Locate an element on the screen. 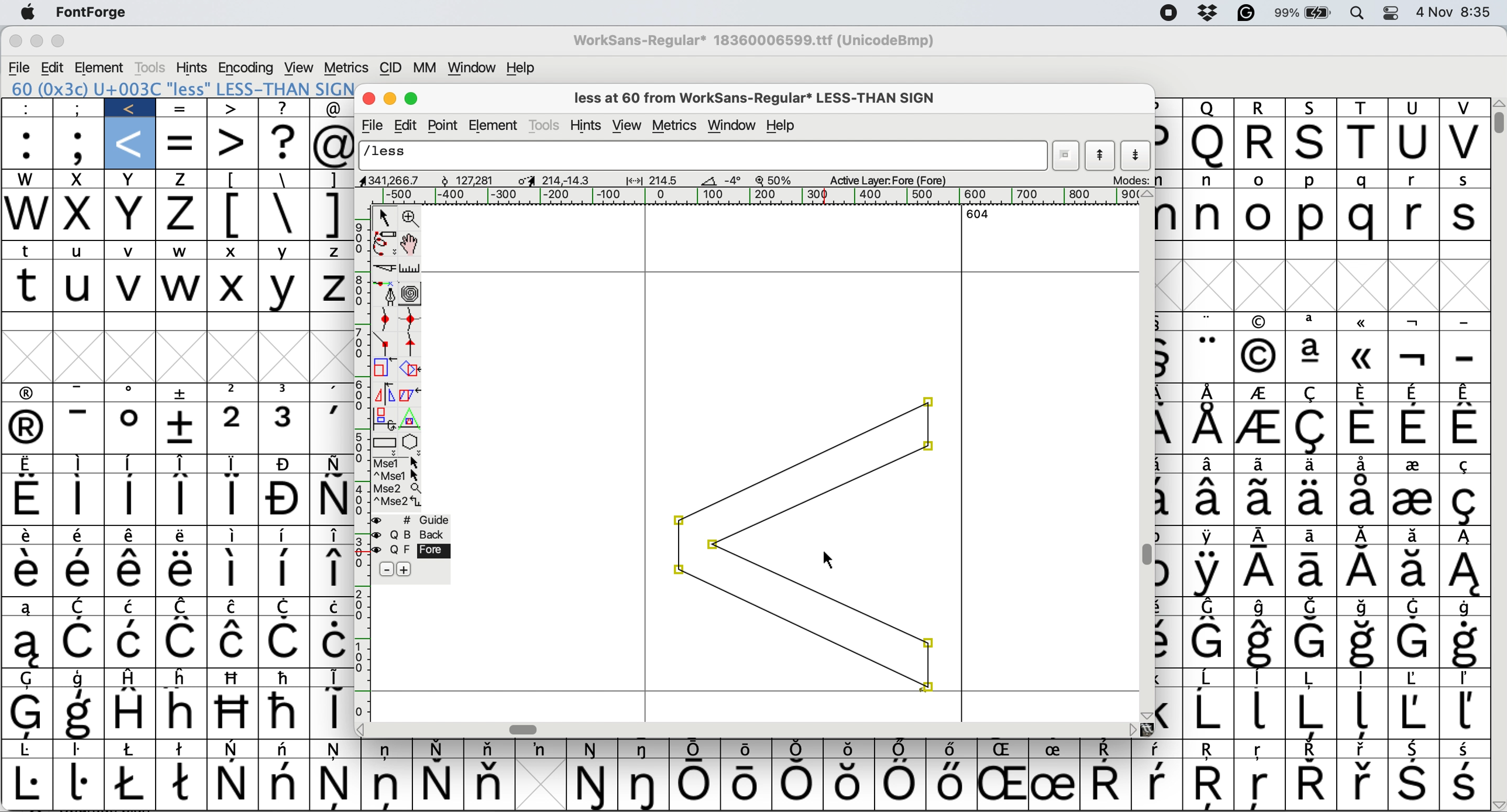 Image resolution: width=1507 pixels, height=812 pixels. 604 is located at coordinates (980, 216).